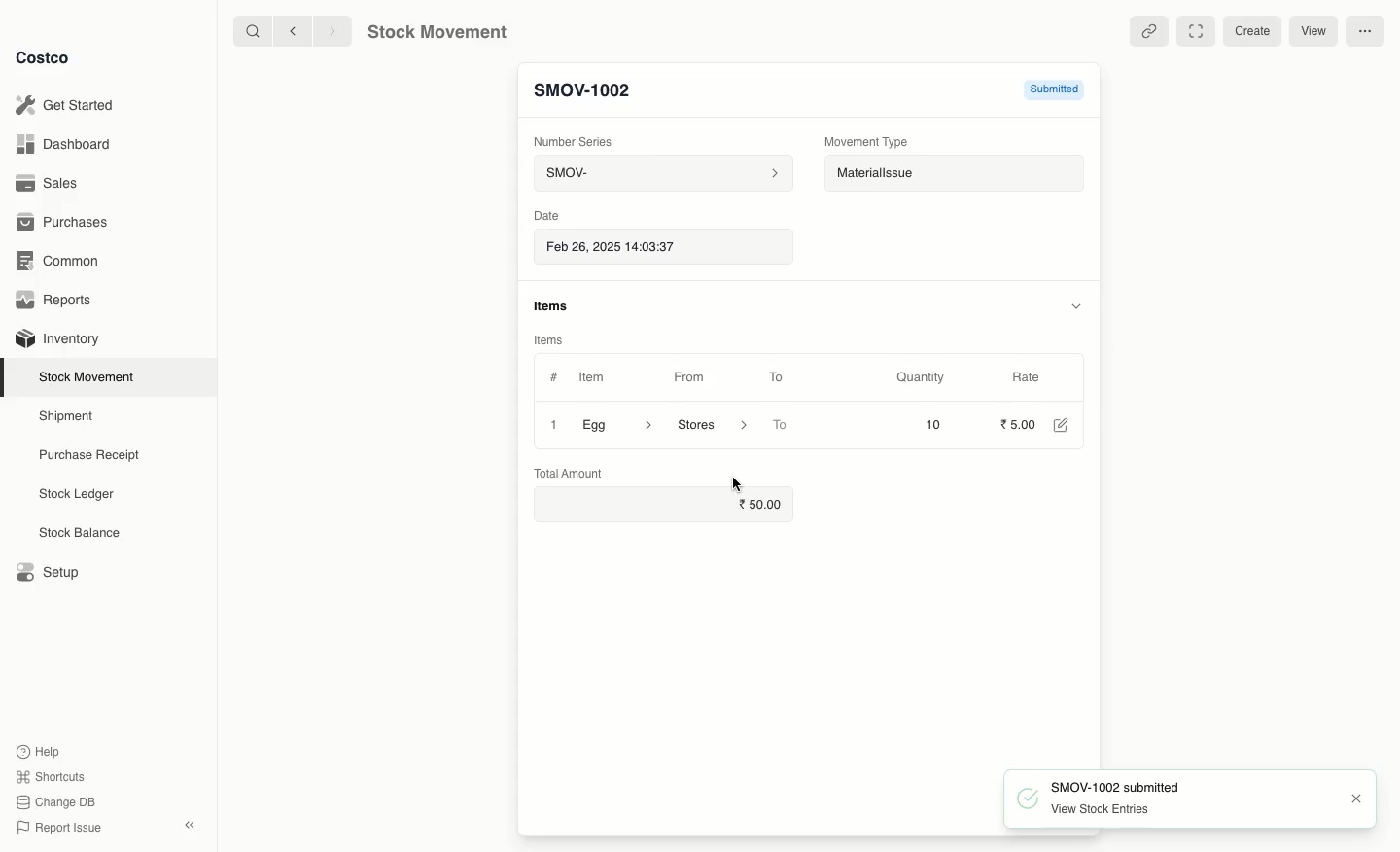 This screenshot has height=852, width=1400. Describe the element at coordinates (546, 339) in the screenshot. I see `Items` at that location.